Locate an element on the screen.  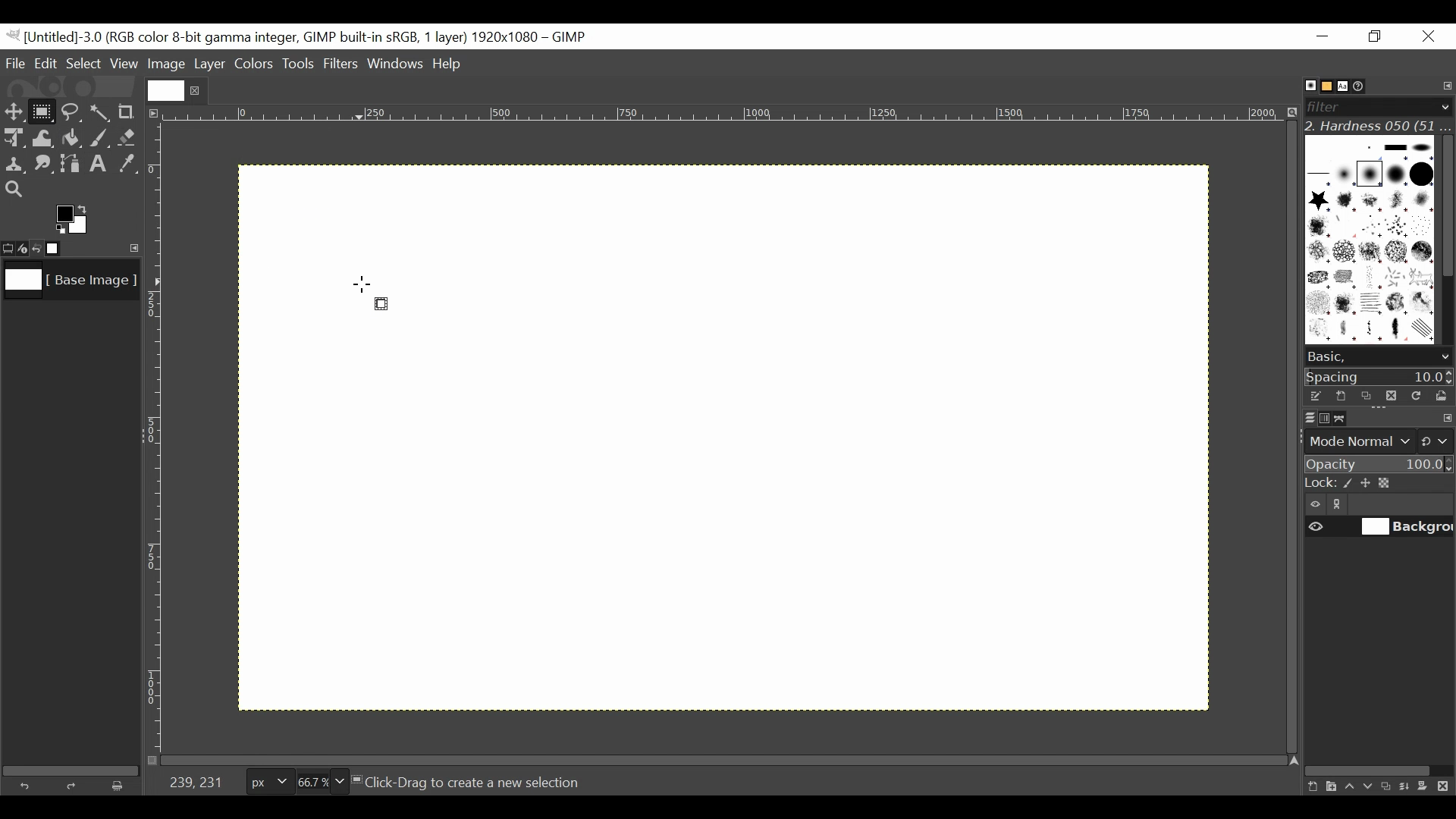
Current file is located at coordinates (167, 88).